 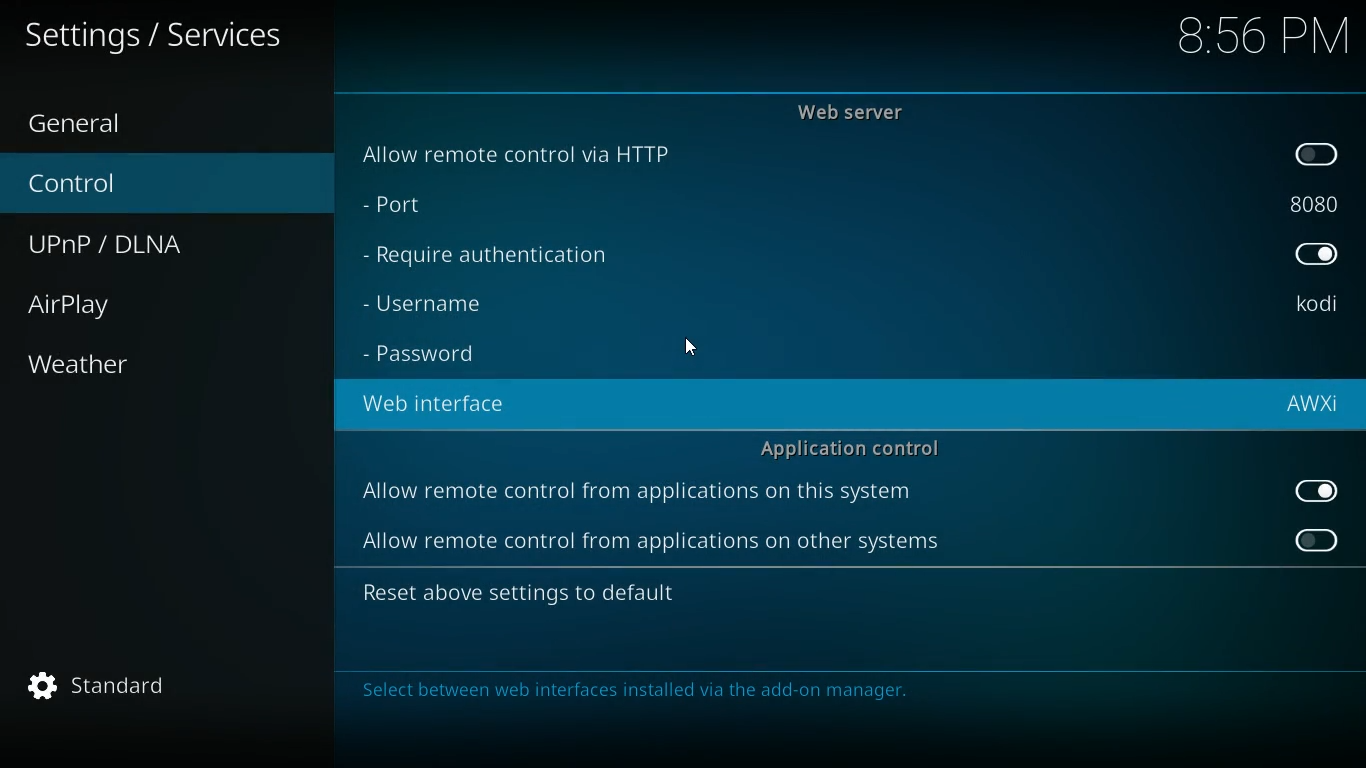 I want to click on Cursor, so click(x=695, y=346).